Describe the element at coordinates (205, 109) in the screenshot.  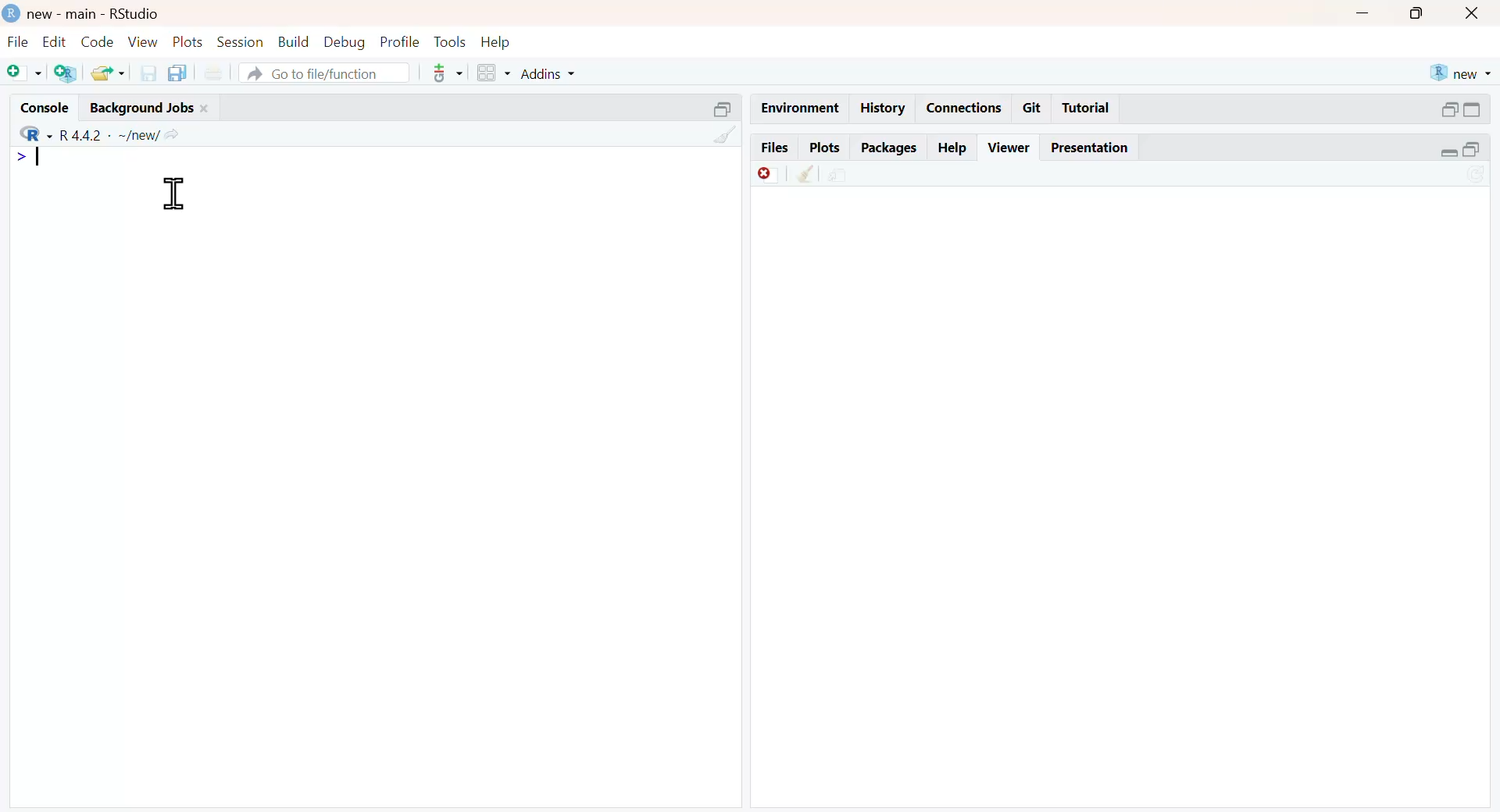
I see `close` at that location.